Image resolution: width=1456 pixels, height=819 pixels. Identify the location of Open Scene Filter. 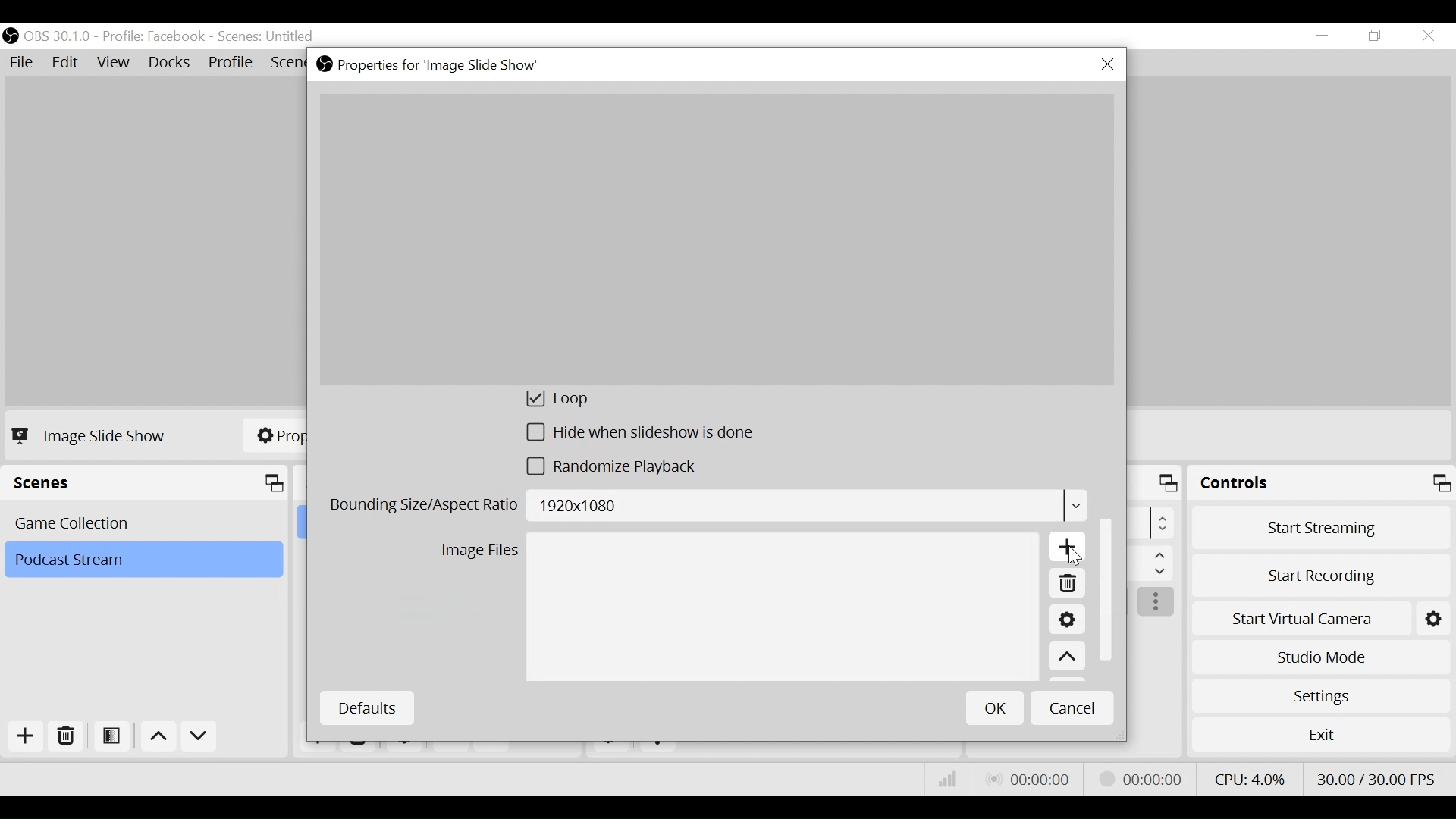
(115, 737).